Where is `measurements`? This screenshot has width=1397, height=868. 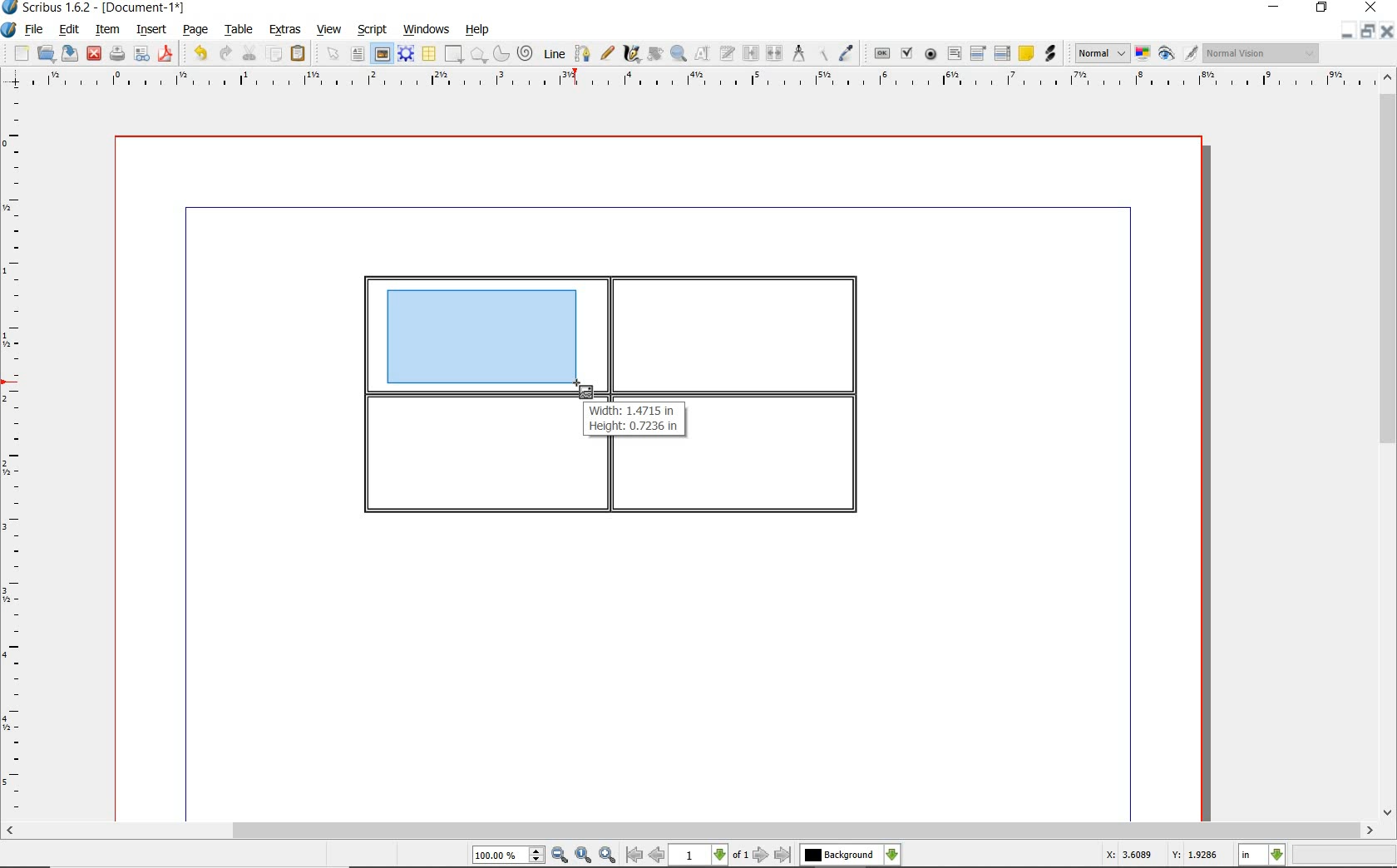 measurements is located at coordinates (799, 53).